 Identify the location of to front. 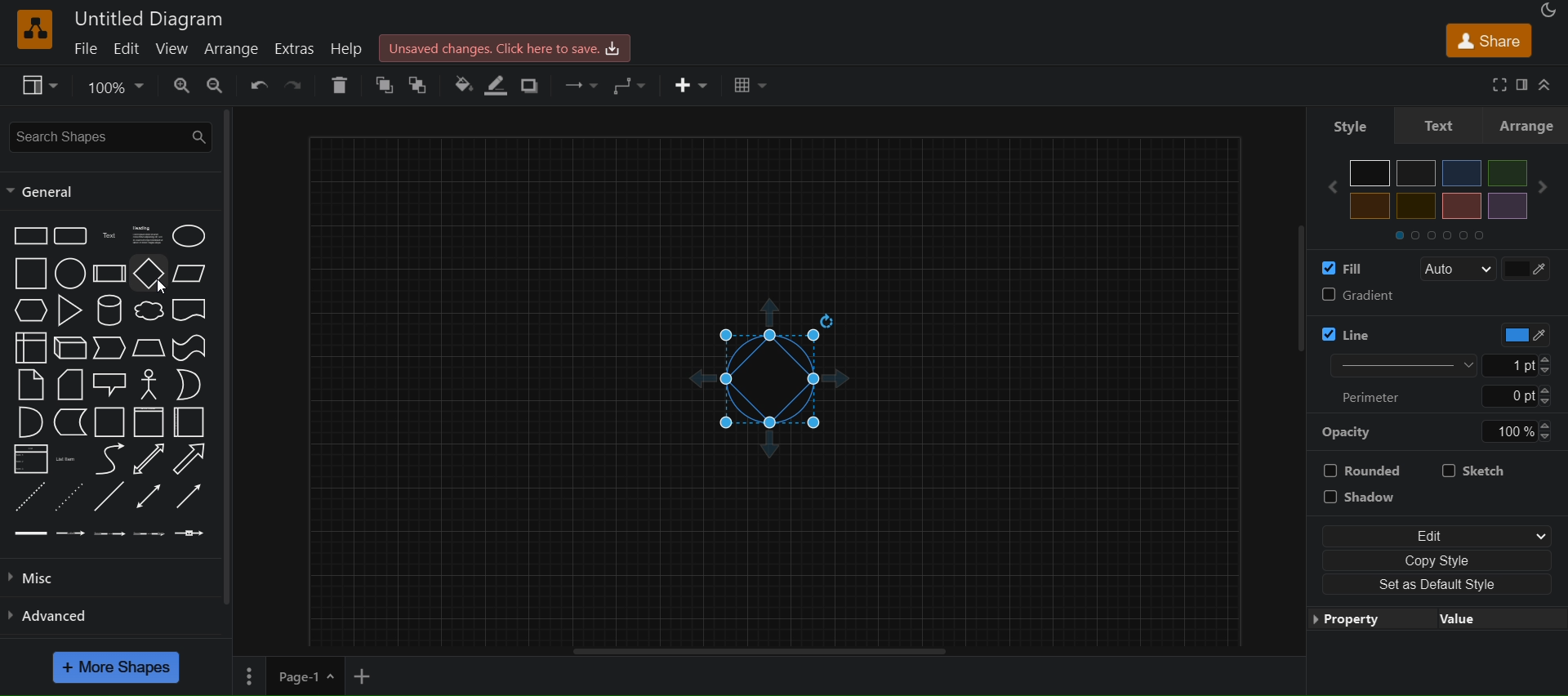
(385, 86).